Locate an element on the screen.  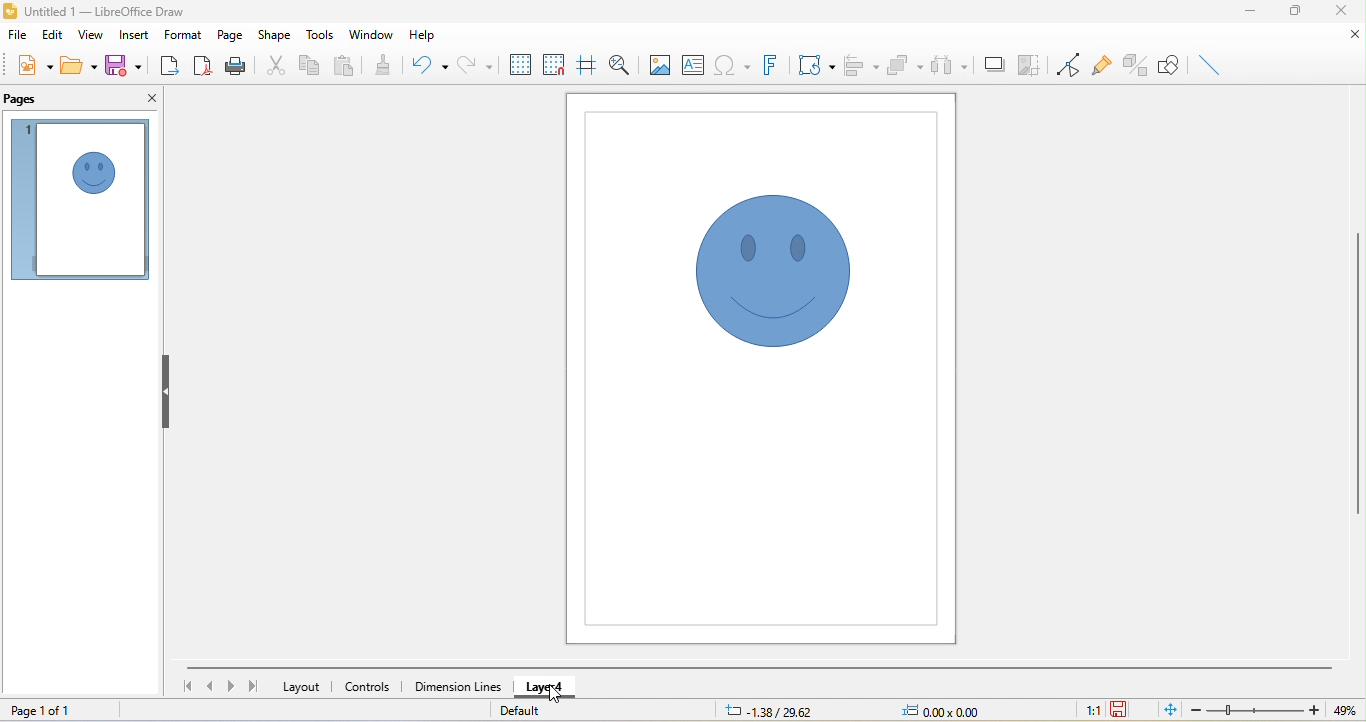
symbol shape is located at coordinates (764, 275).